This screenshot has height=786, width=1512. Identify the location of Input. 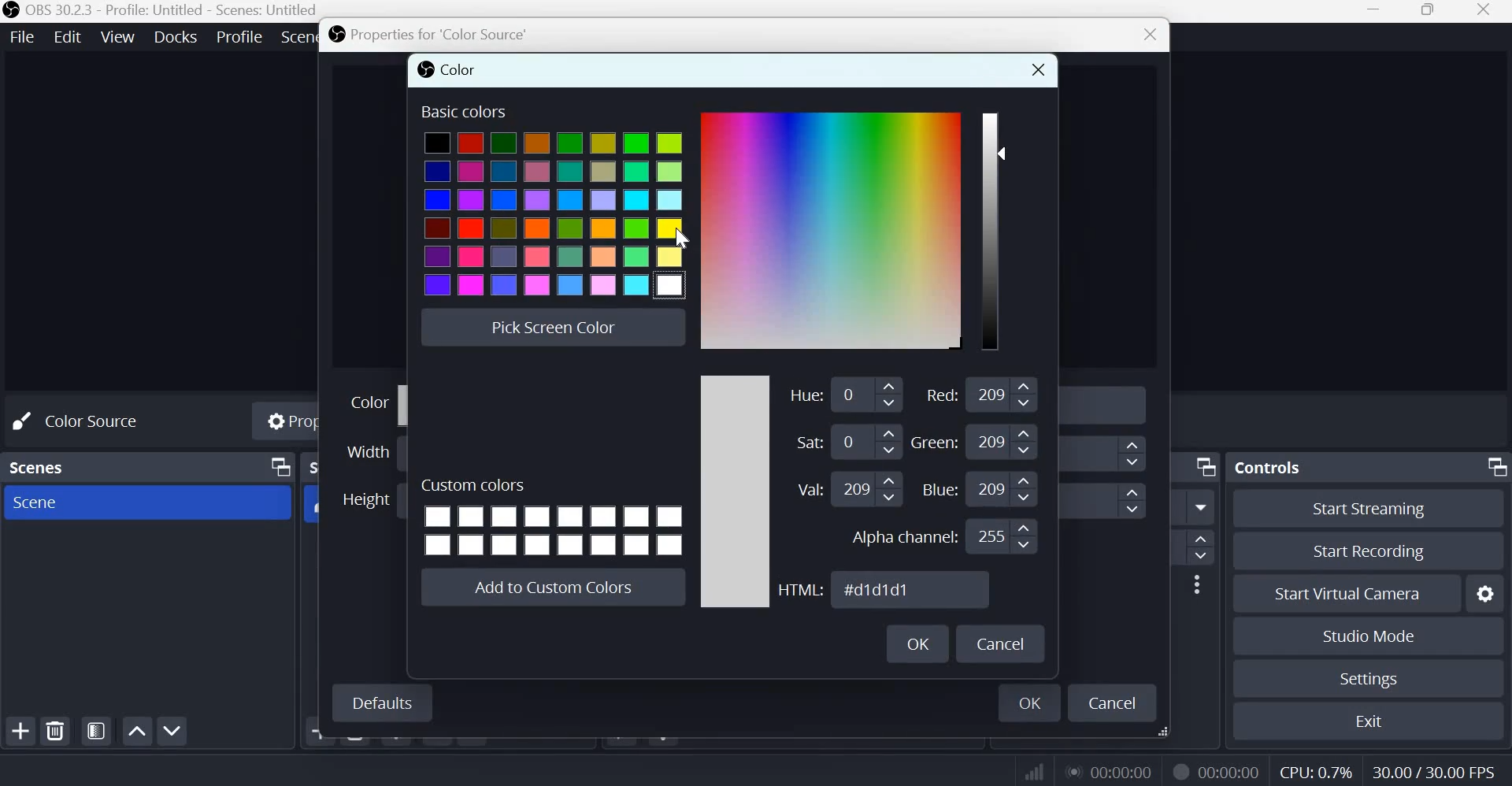
(1002, 488).